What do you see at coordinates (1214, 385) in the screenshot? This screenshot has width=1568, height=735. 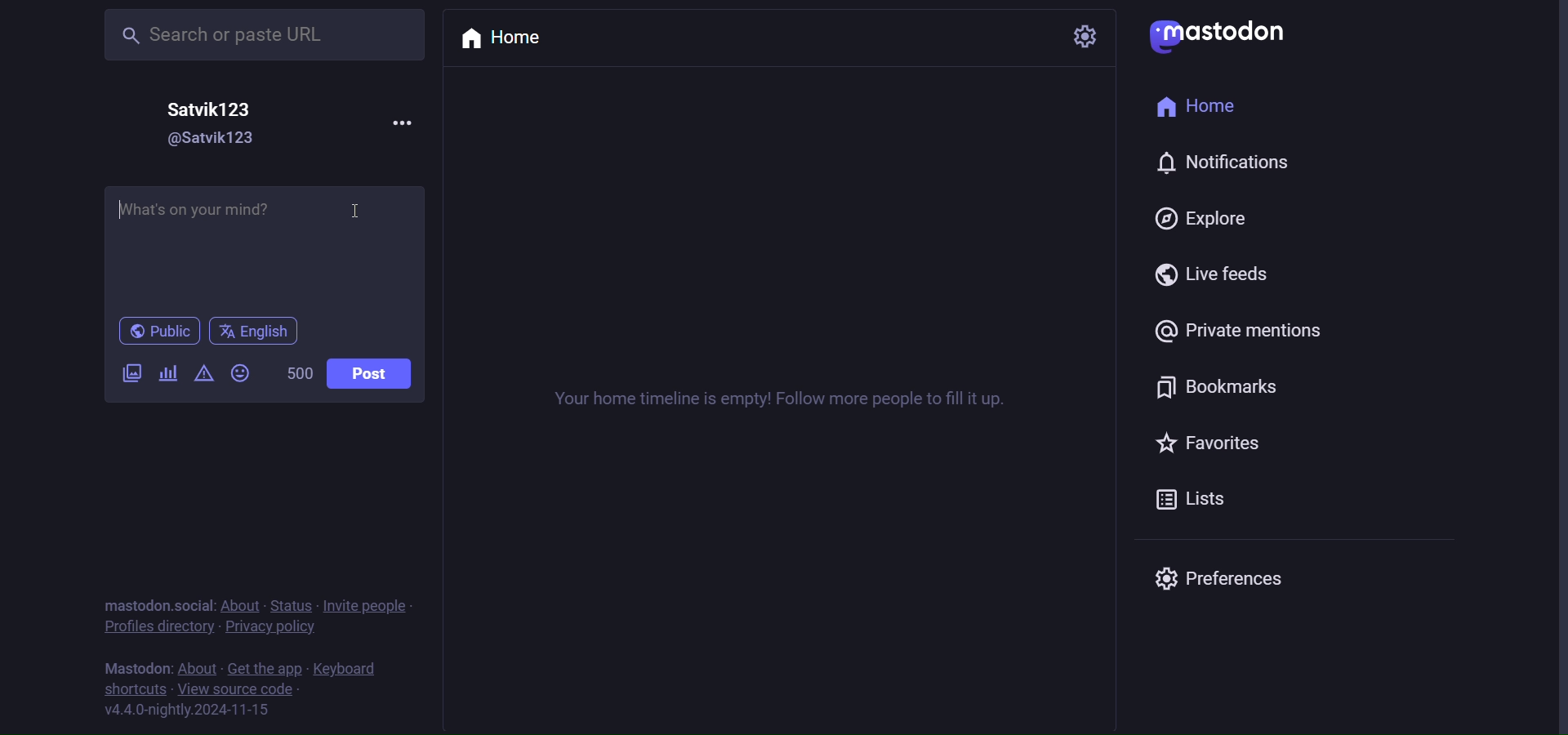 I see `bookmark` at bounding box center [1214, 385].